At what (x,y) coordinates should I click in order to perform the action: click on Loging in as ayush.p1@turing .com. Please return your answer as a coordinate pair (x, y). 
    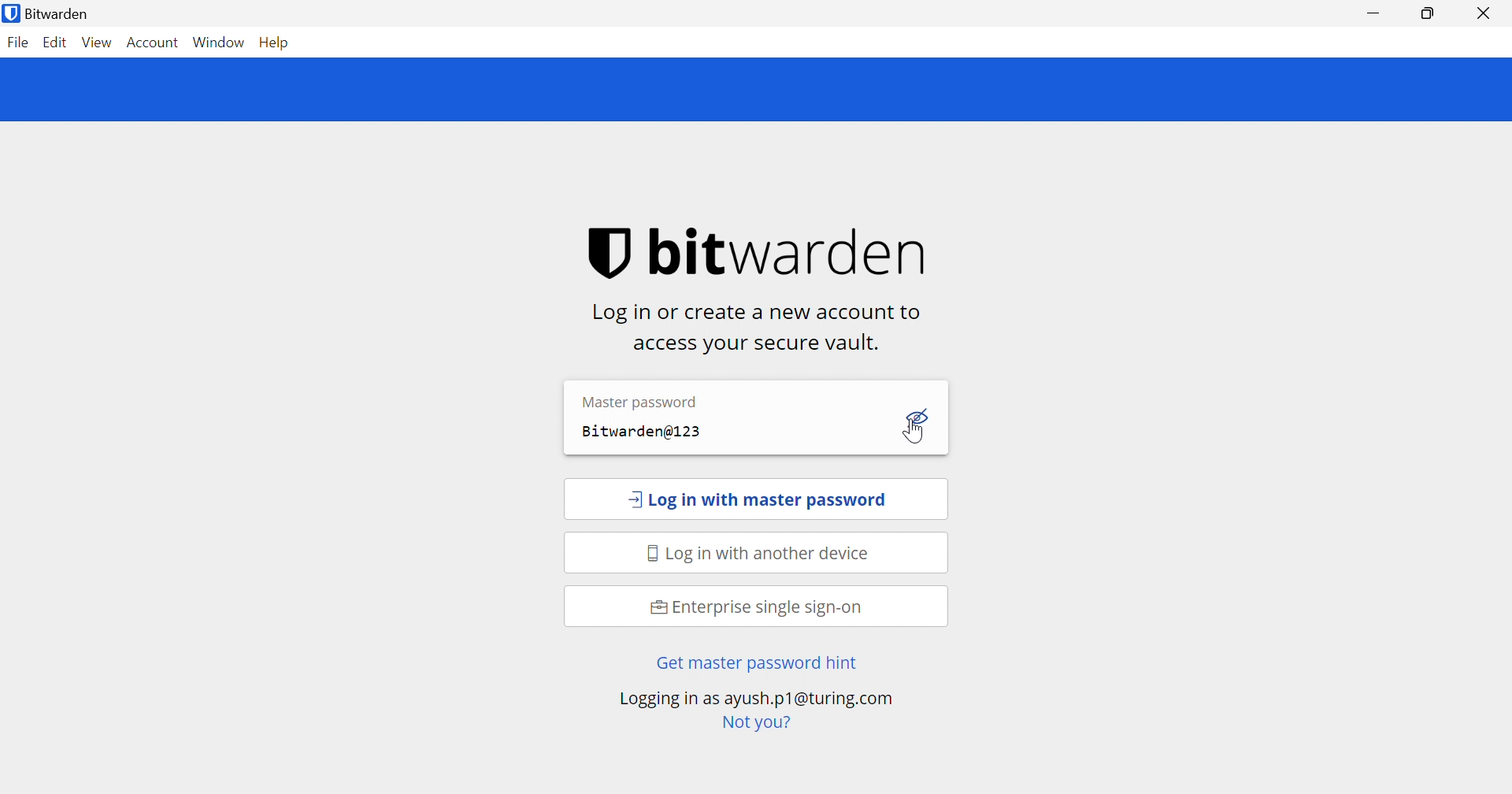
    Looking at the image, I should click on (755, 699).